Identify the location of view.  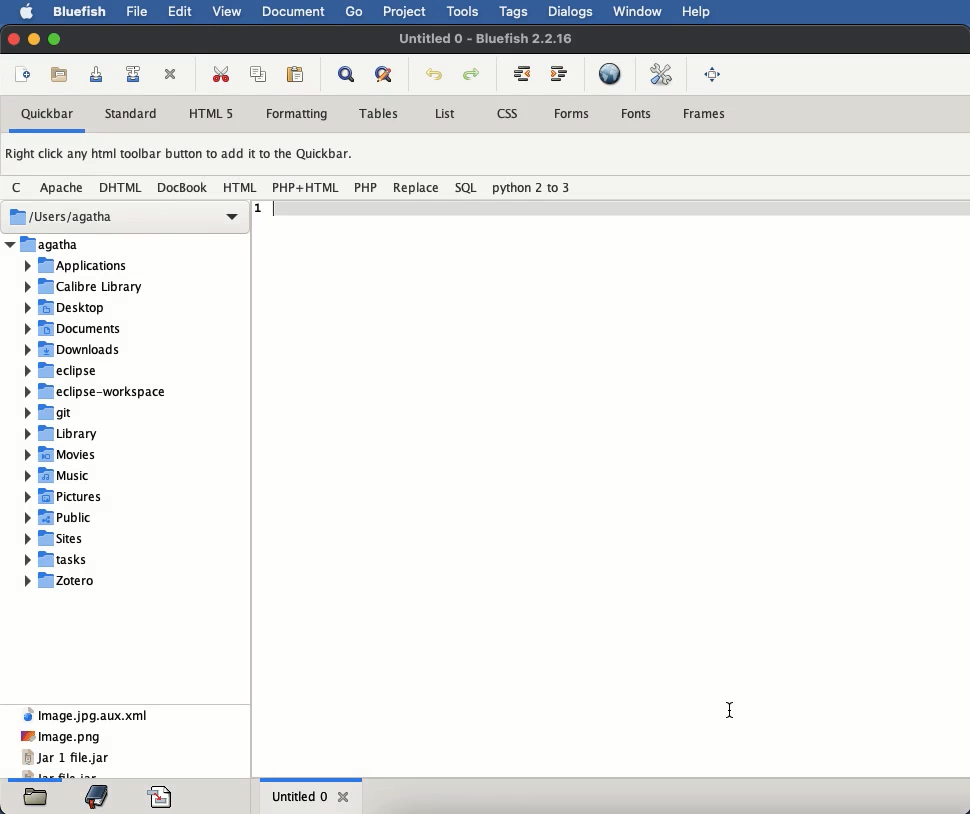
(230, 11).